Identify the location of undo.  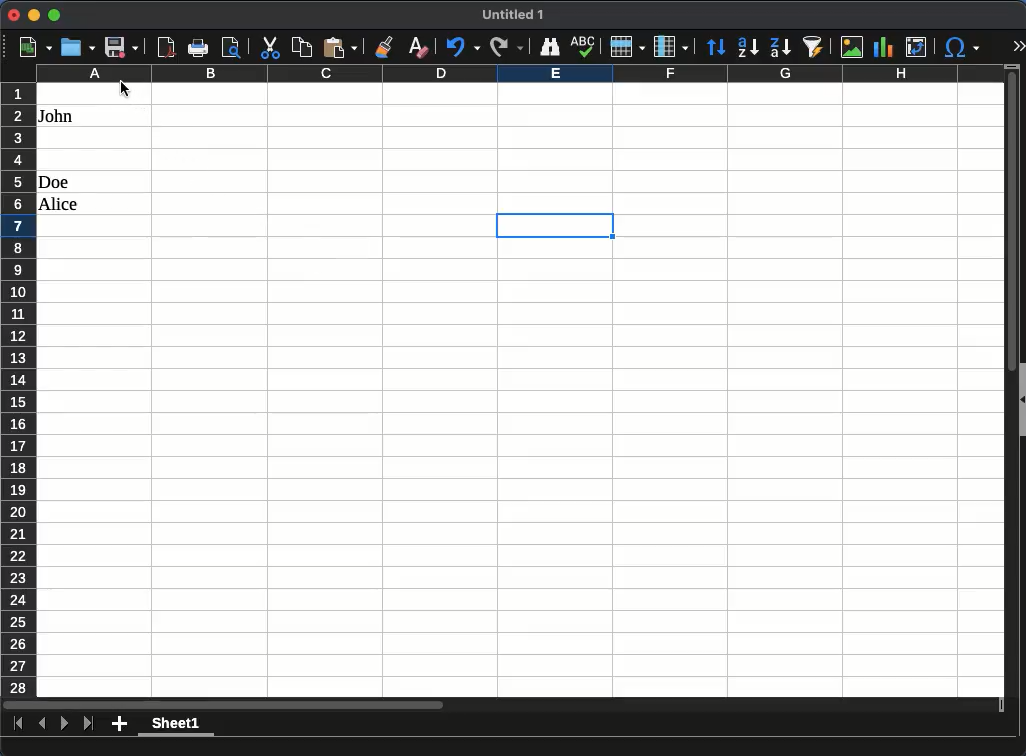
(461, 48).